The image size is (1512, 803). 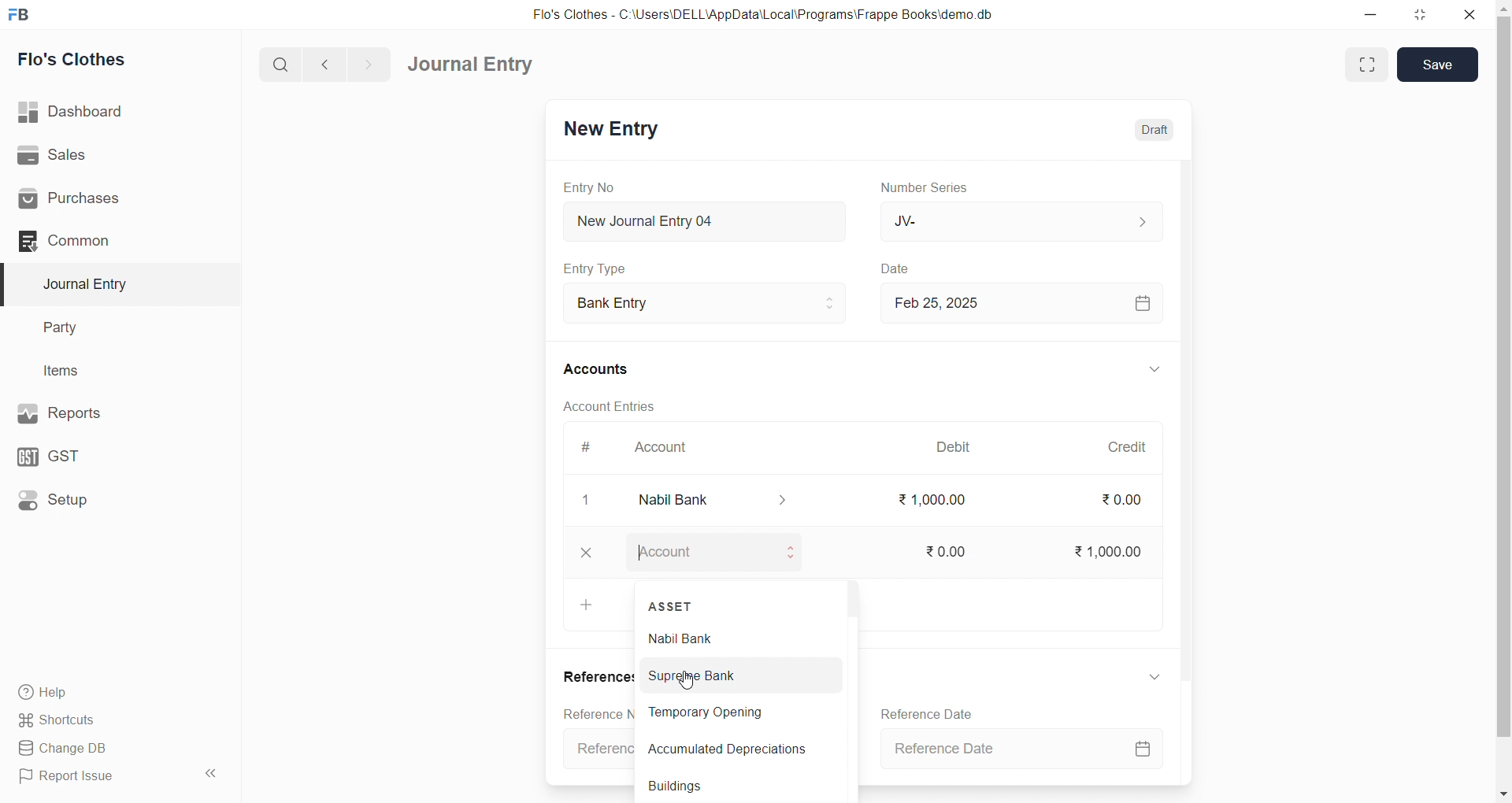 I want to click on ASSET, so click(x=673, y=605).